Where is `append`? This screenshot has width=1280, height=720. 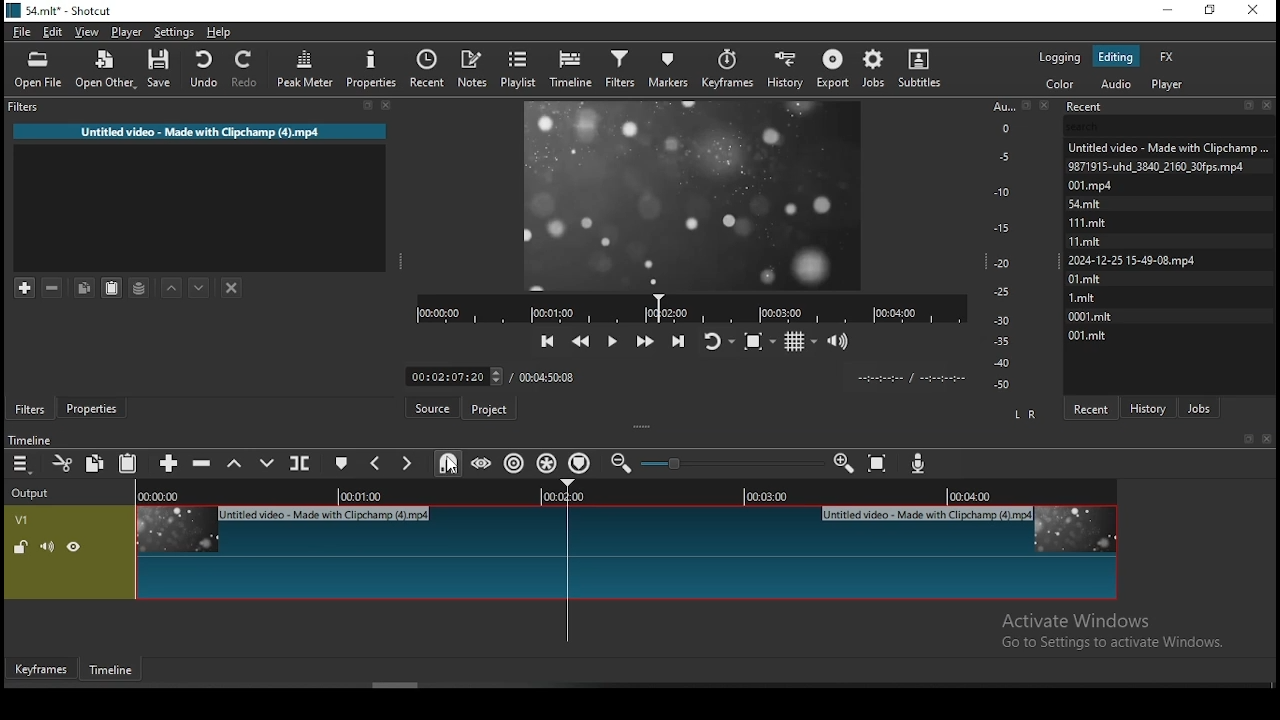
append is located at coordinates (171, 463).